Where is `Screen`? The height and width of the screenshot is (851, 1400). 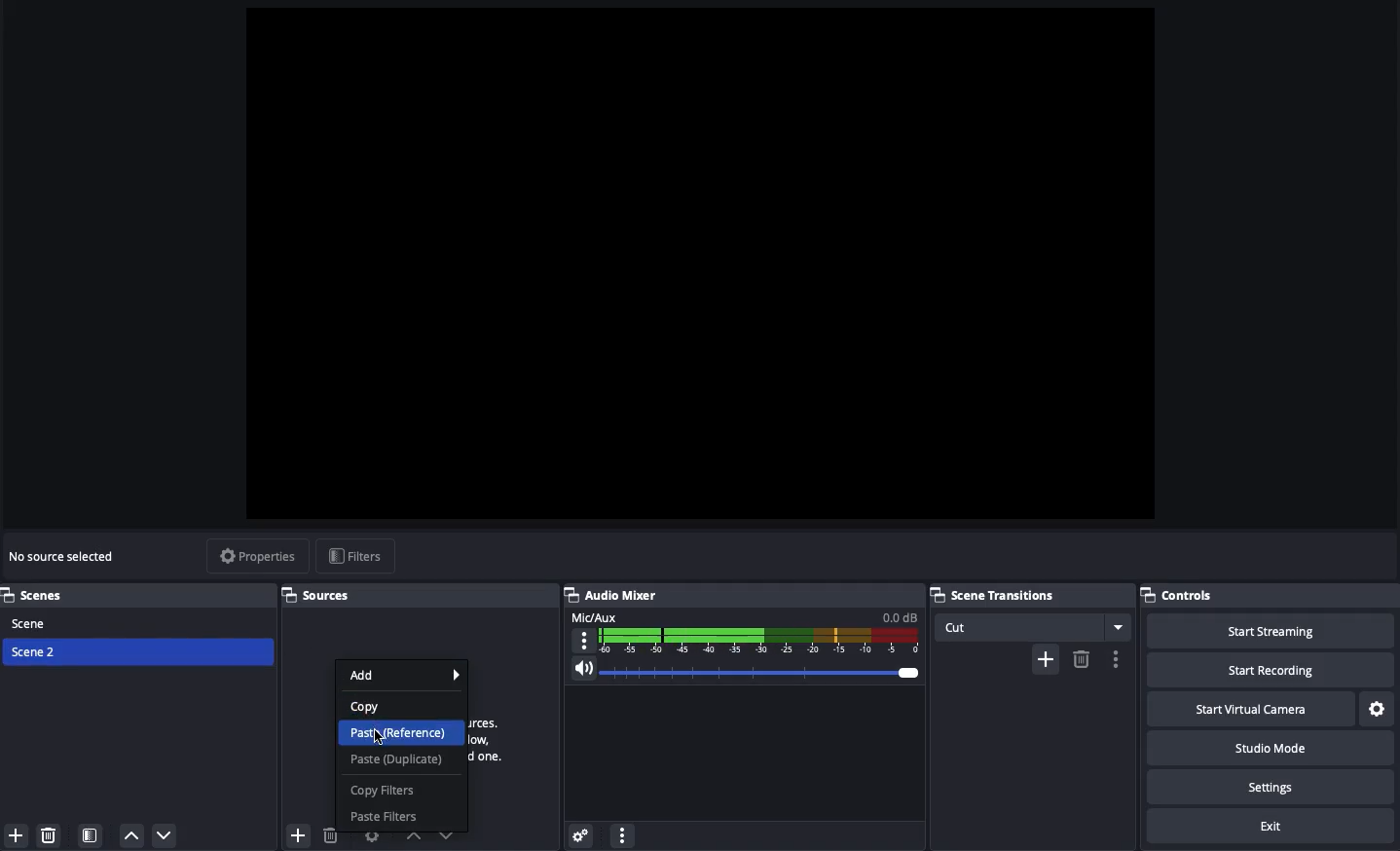 Screen is located at coordinates (706, 262).